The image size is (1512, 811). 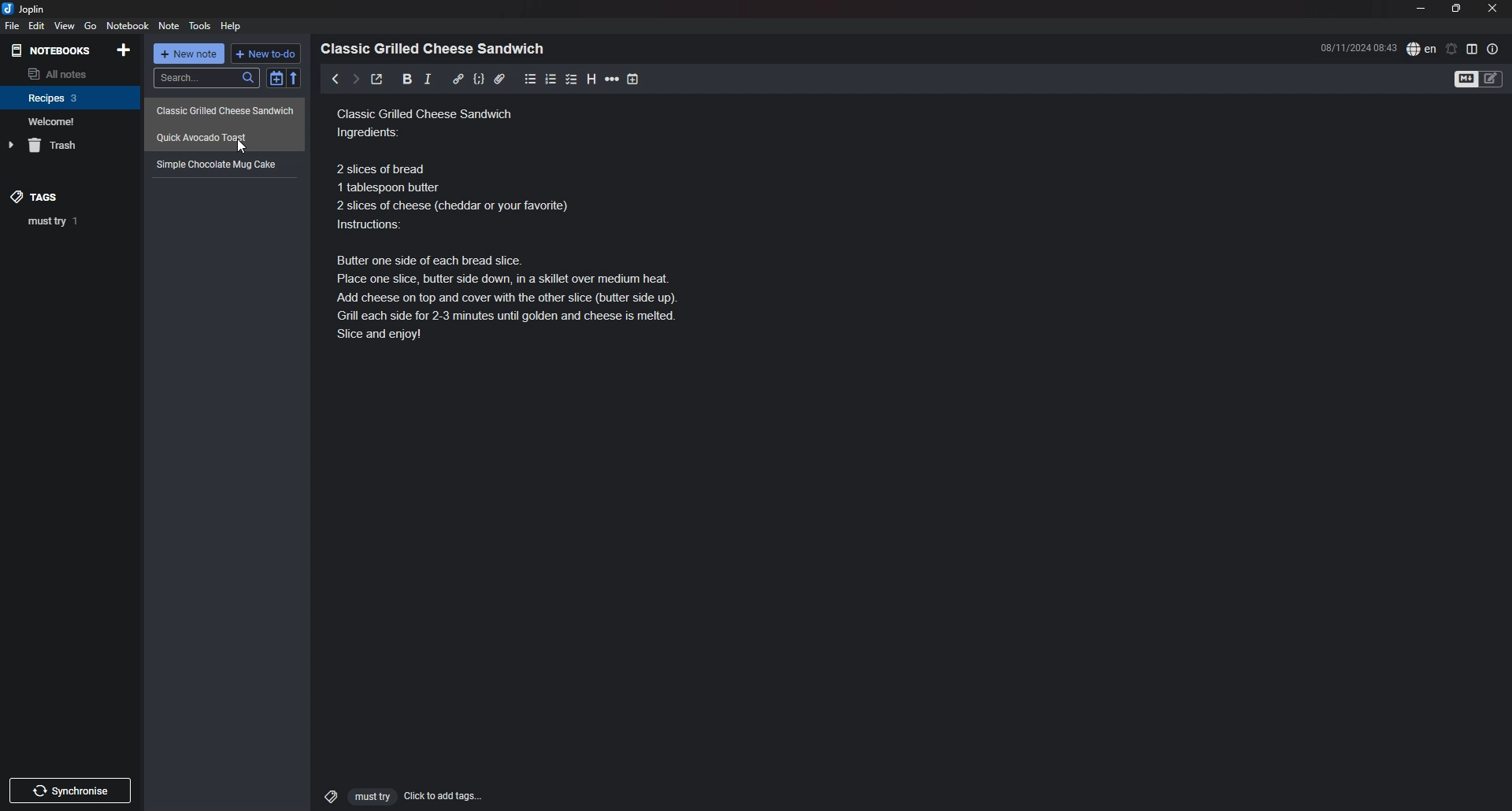 What do you see at coordinates (191, 55) in the screenshot?
I see `new note` at bounding box center [191, 55].